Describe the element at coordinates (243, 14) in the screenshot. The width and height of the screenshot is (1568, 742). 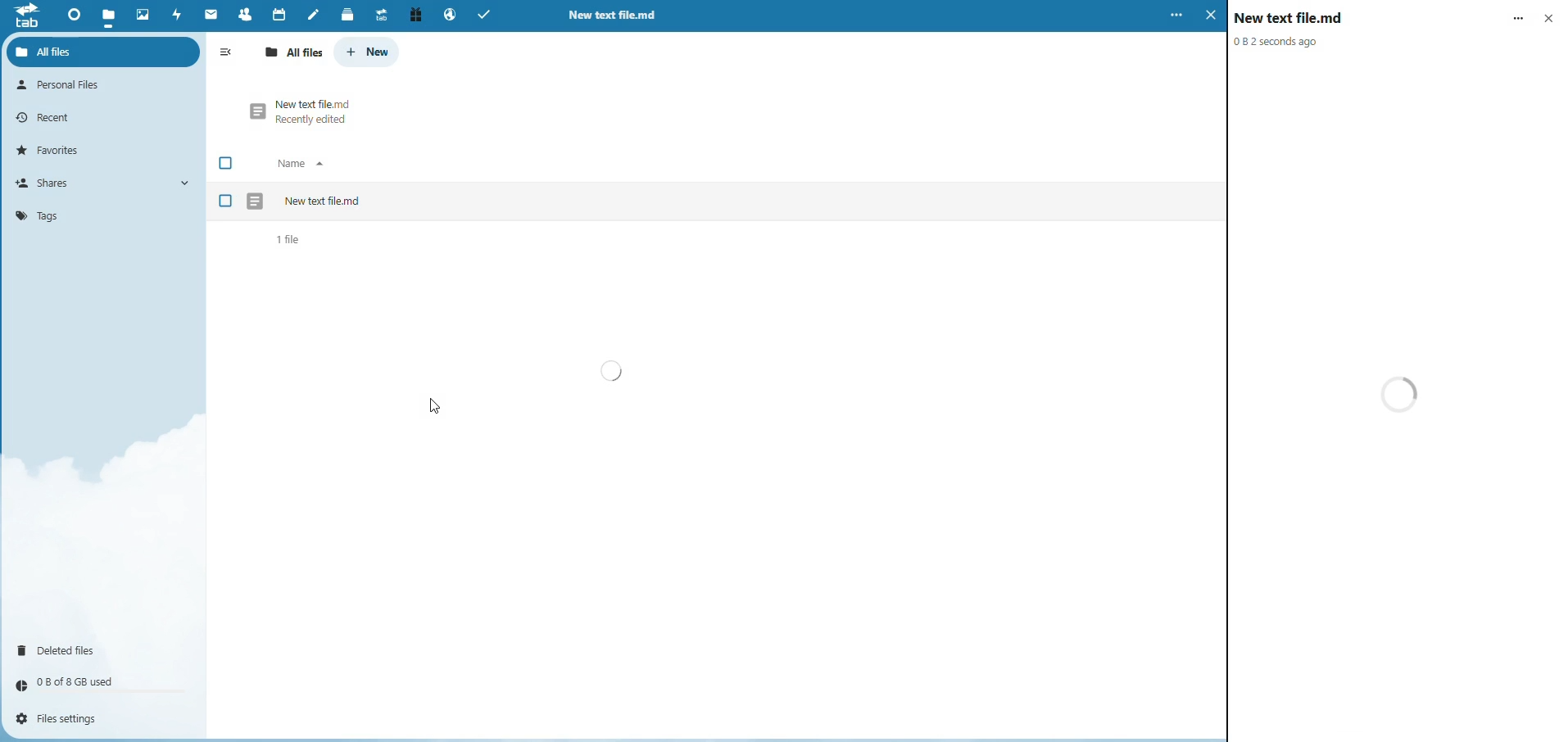
I see `Contacts` at that location.